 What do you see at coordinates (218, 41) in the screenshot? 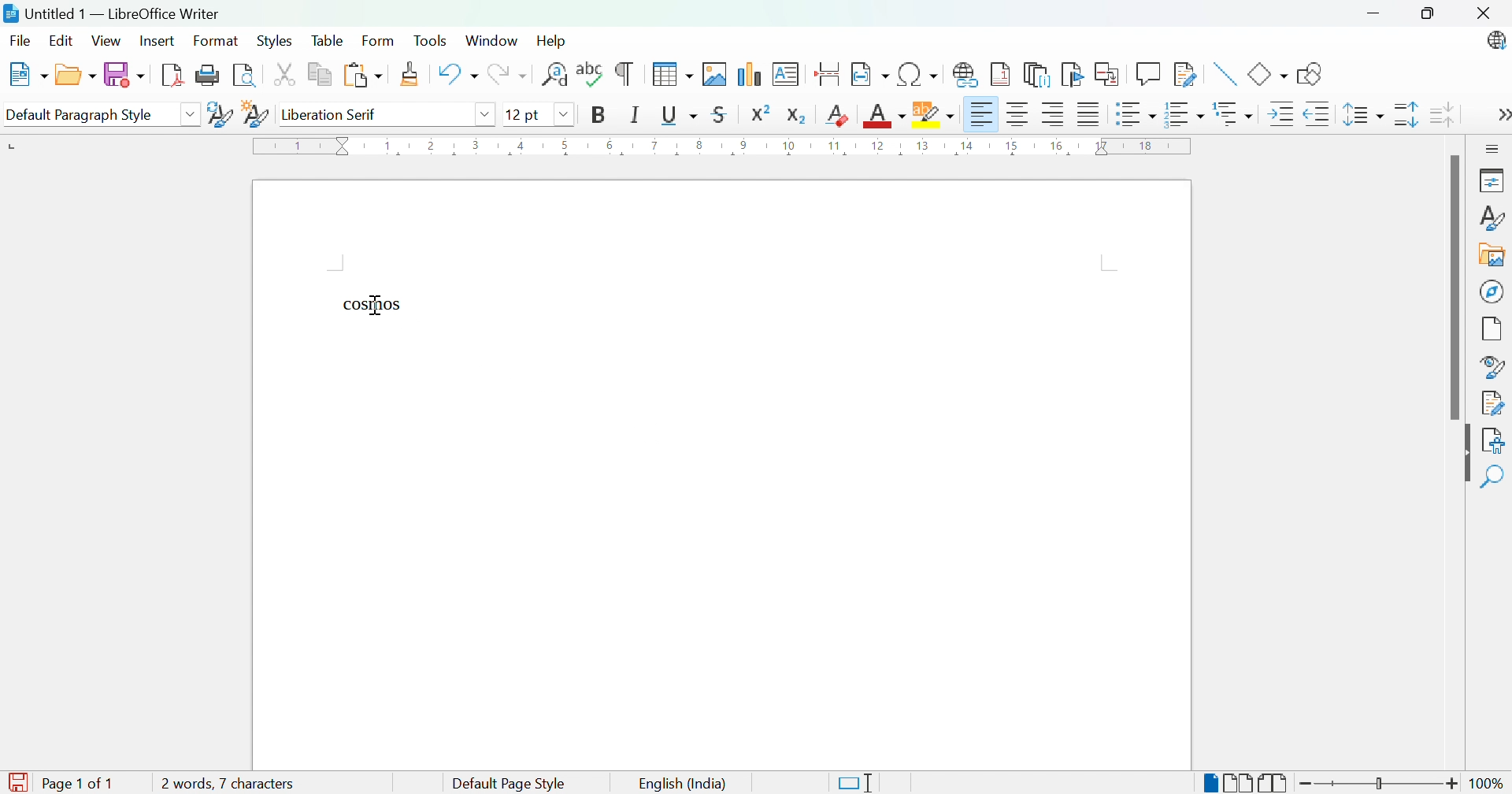
I see `Format` at bounding box center [218, 41].